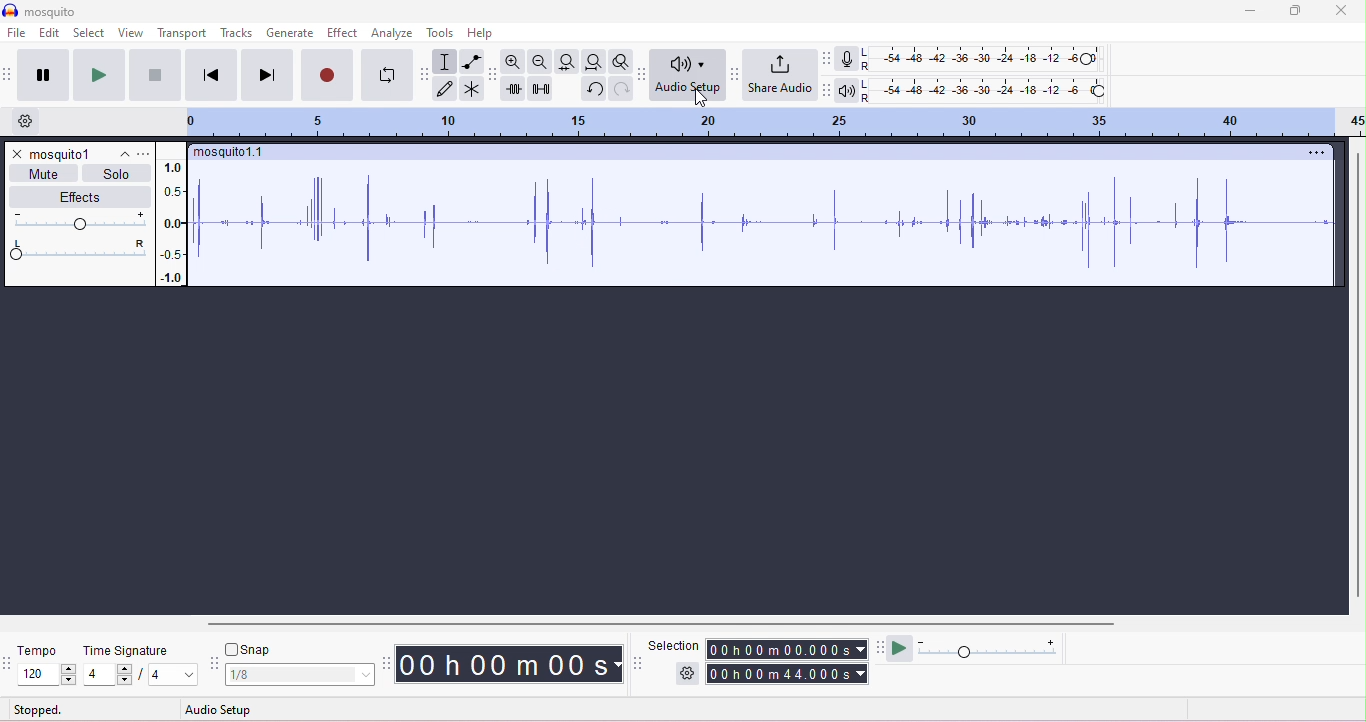 The width and height of the screenshot is (1366, 722). Describe the element at coordinates (1357, 373) in the screenshot. I see `vertical scroll bar` at that location.